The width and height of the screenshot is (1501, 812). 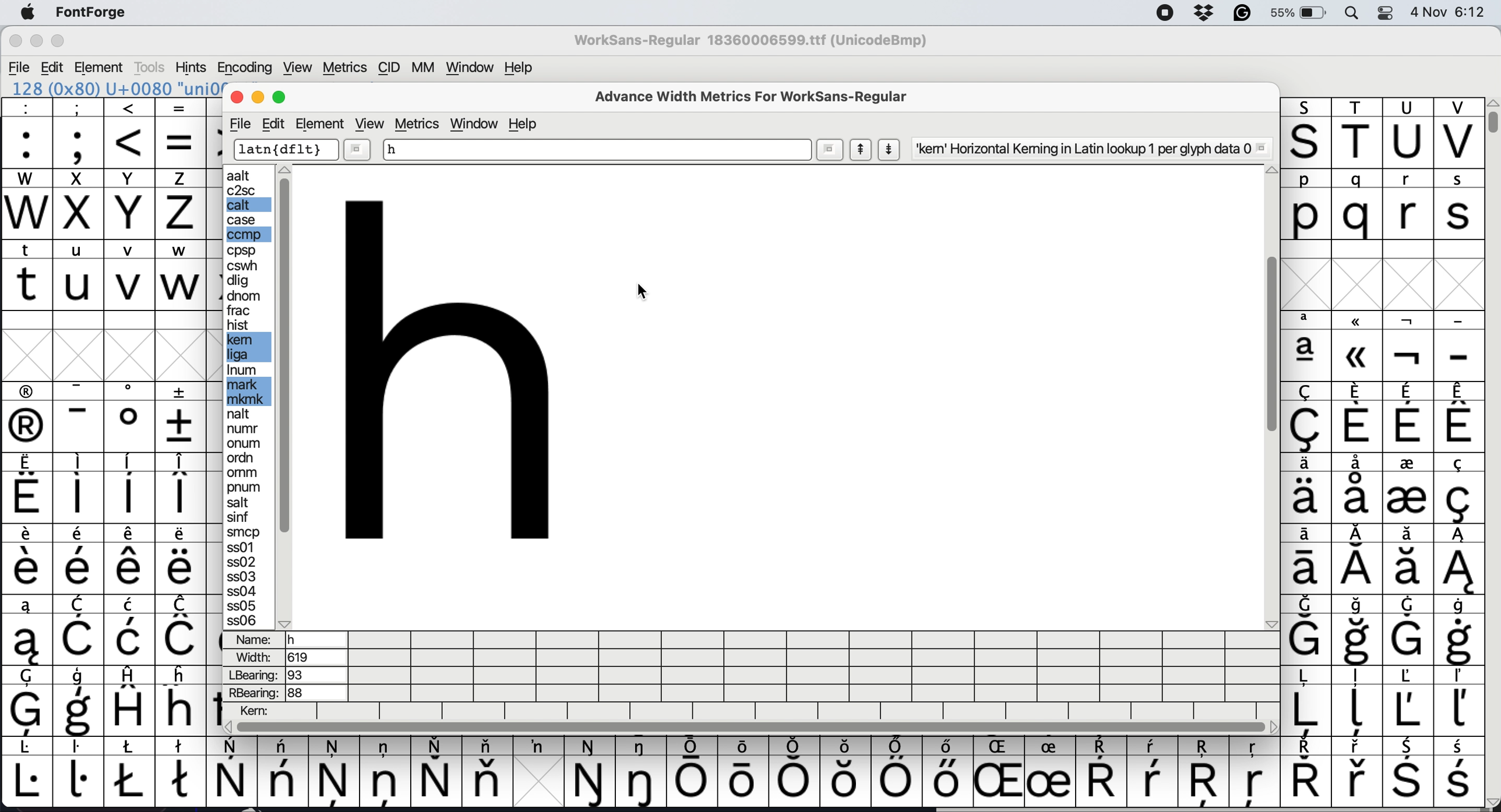 I want to click on uppercase letters, so click(x=111, y=214).